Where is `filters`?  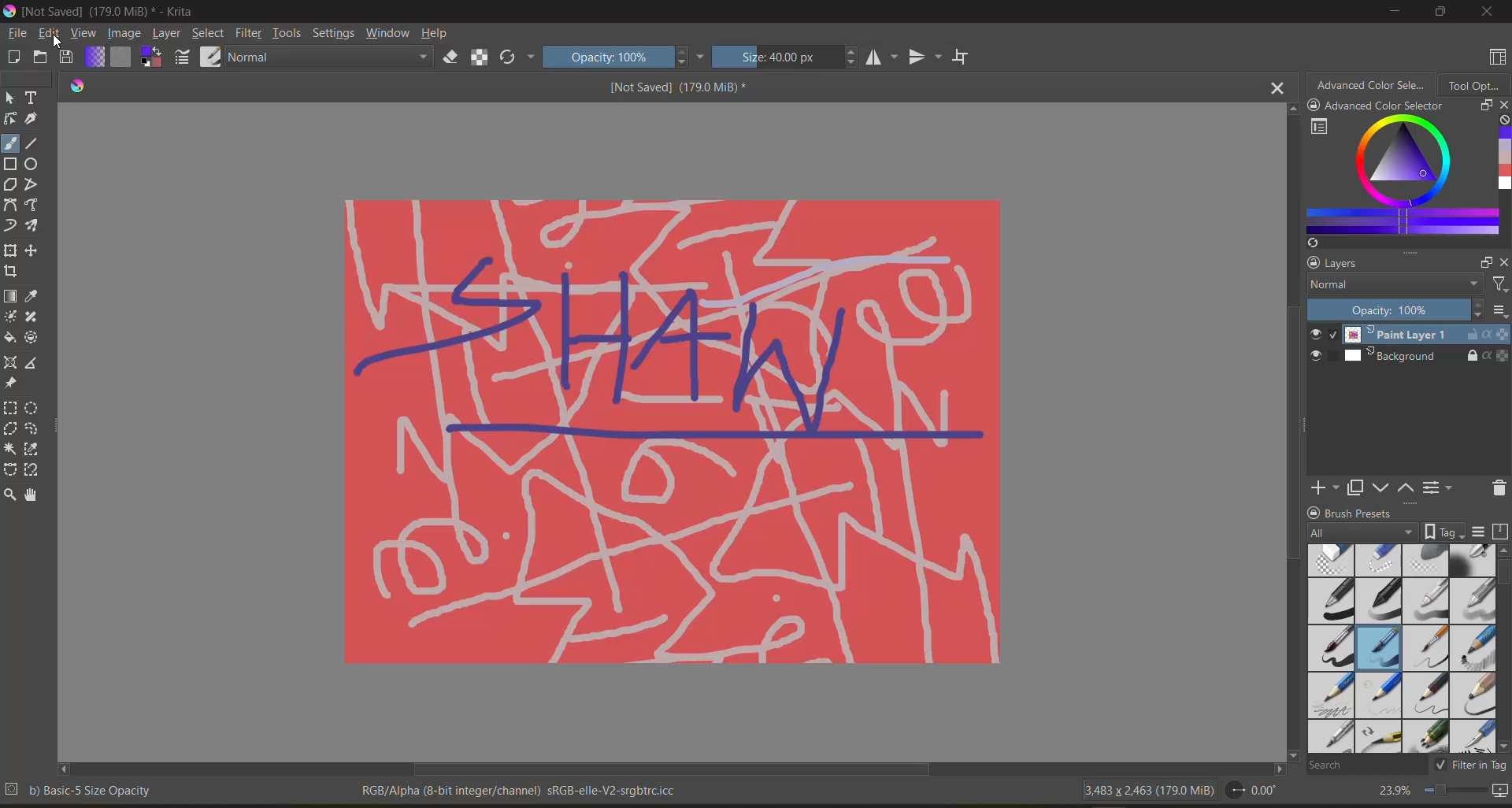 filters is located at coordinates (250, 32).